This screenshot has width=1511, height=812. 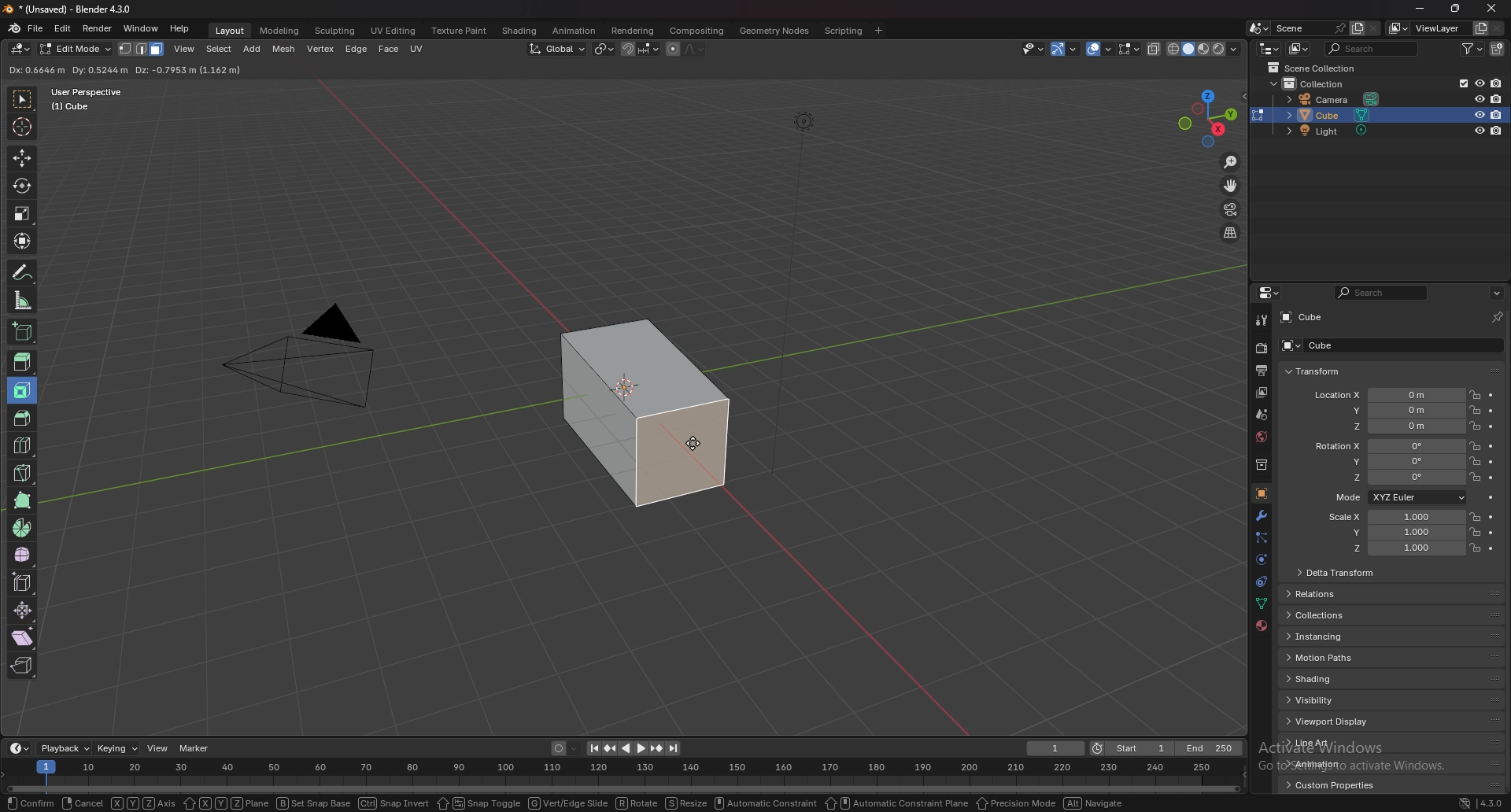 What do you see at coordinates (1261, 560) in the screenshot?
I see `physics` at bounding box center [1261, 560].